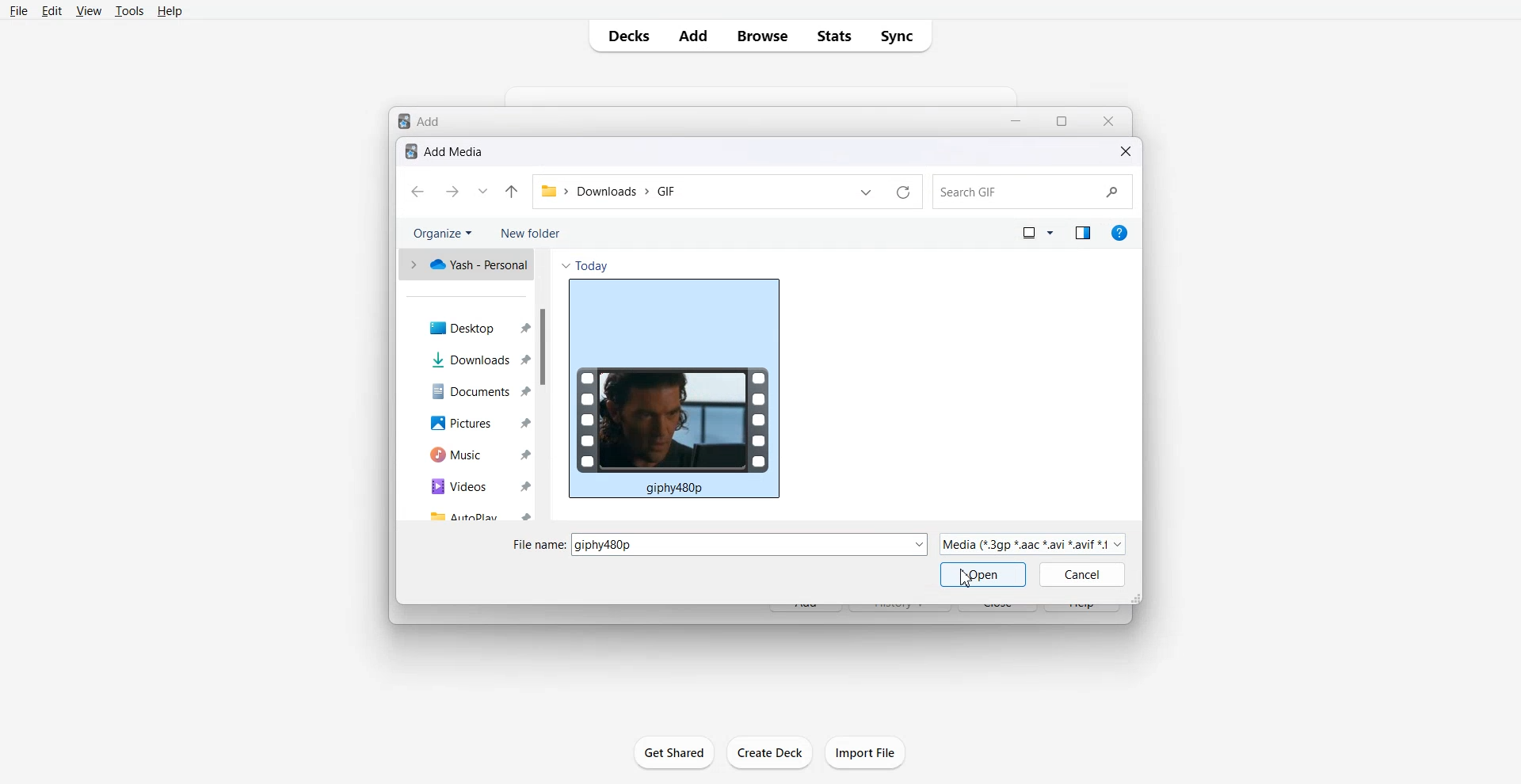 The width and height of the screenshot is (1521, 784). I want to click on Vertical scroll bar, so click(542, 383).